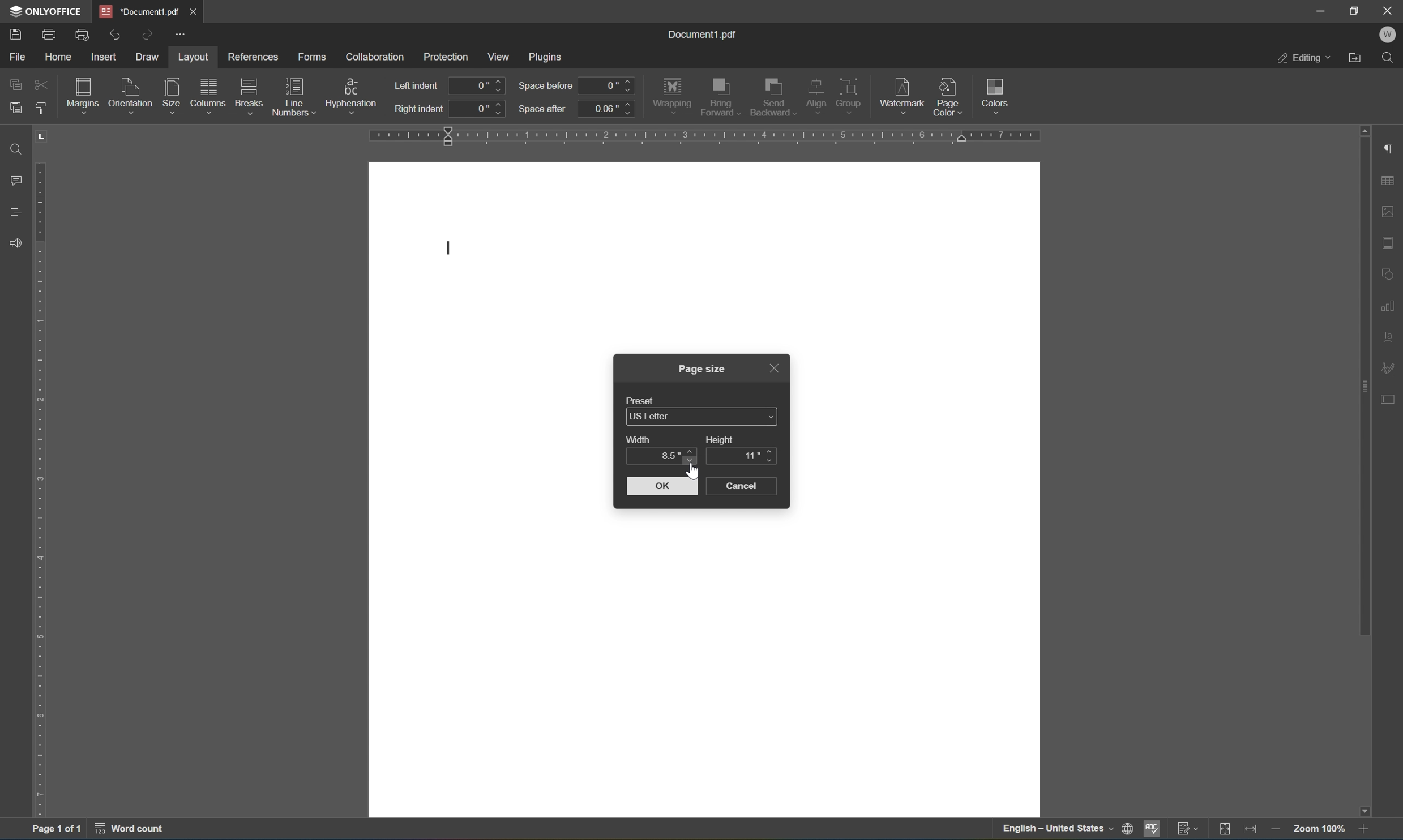 This screenshot has width=1403, height=840. What do you see at coordinates (375, 55) in the screenshot?
I see `colaboration` at bounding box center [375, 55].